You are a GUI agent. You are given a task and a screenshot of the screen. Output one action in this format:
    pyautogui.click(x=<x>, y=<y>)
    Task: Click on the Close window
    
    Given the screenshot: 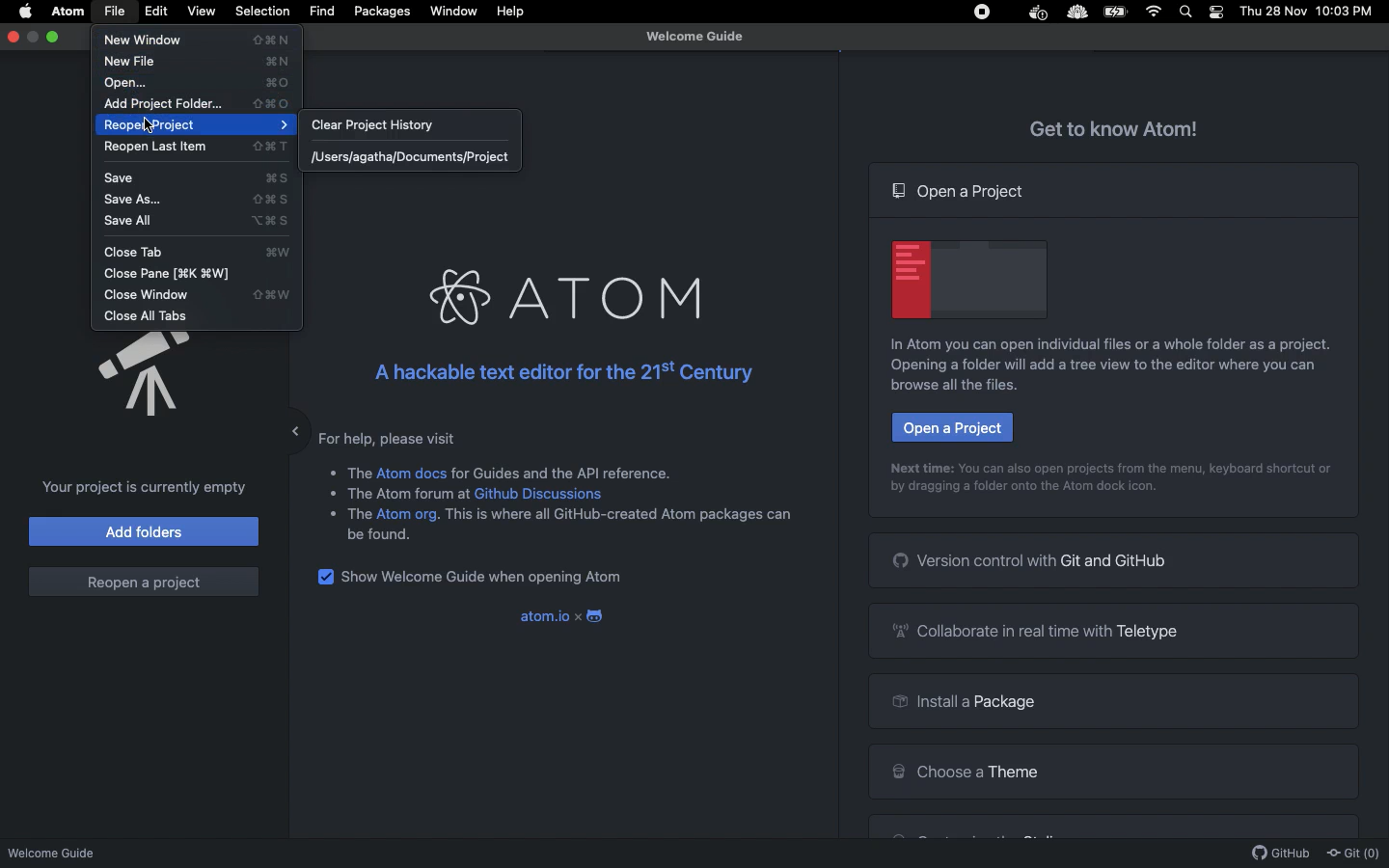 What is the action you would take?
    pyautogui.click(x=204, y=296)
    